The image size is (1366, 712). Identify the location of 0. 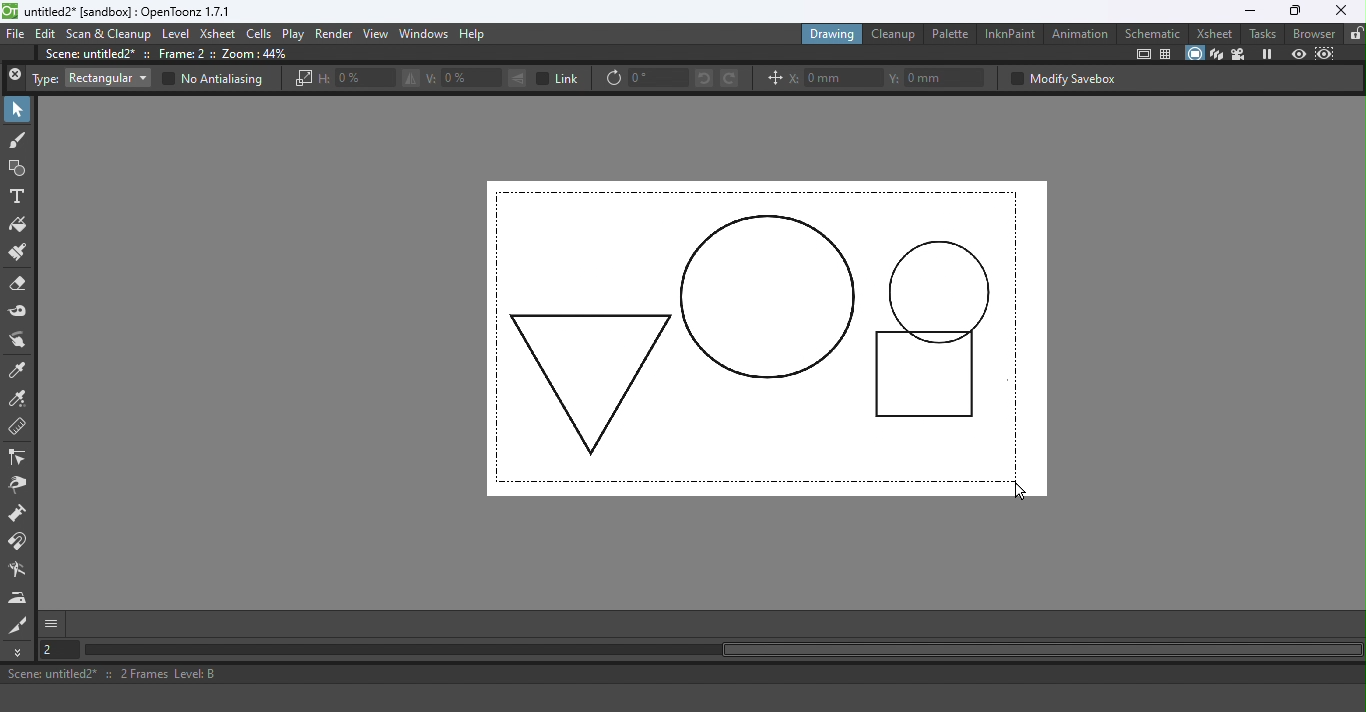
(657, 77).